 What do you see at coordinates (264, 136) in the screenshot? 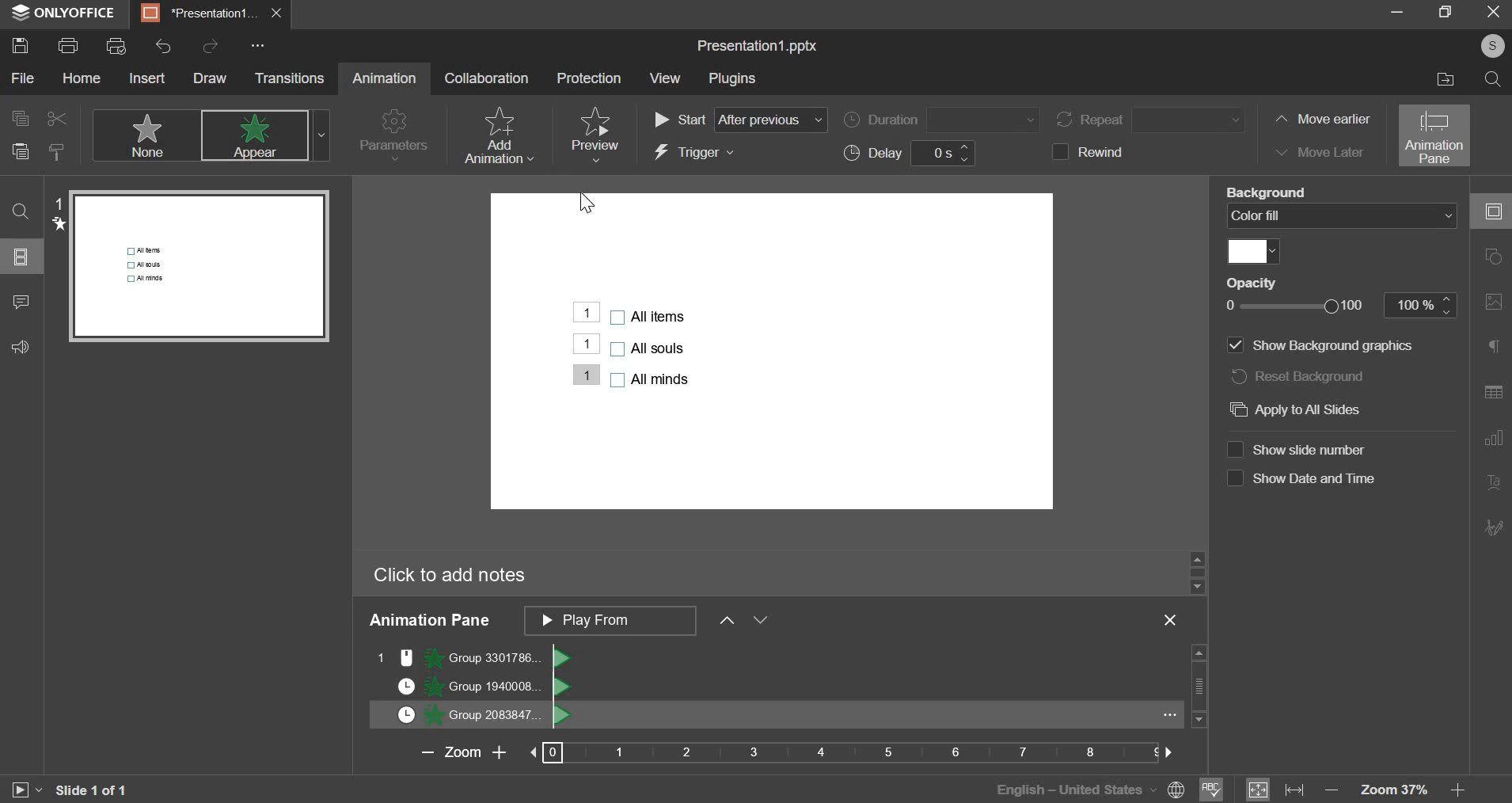
I see `appear` at bounding box center [264, 136].